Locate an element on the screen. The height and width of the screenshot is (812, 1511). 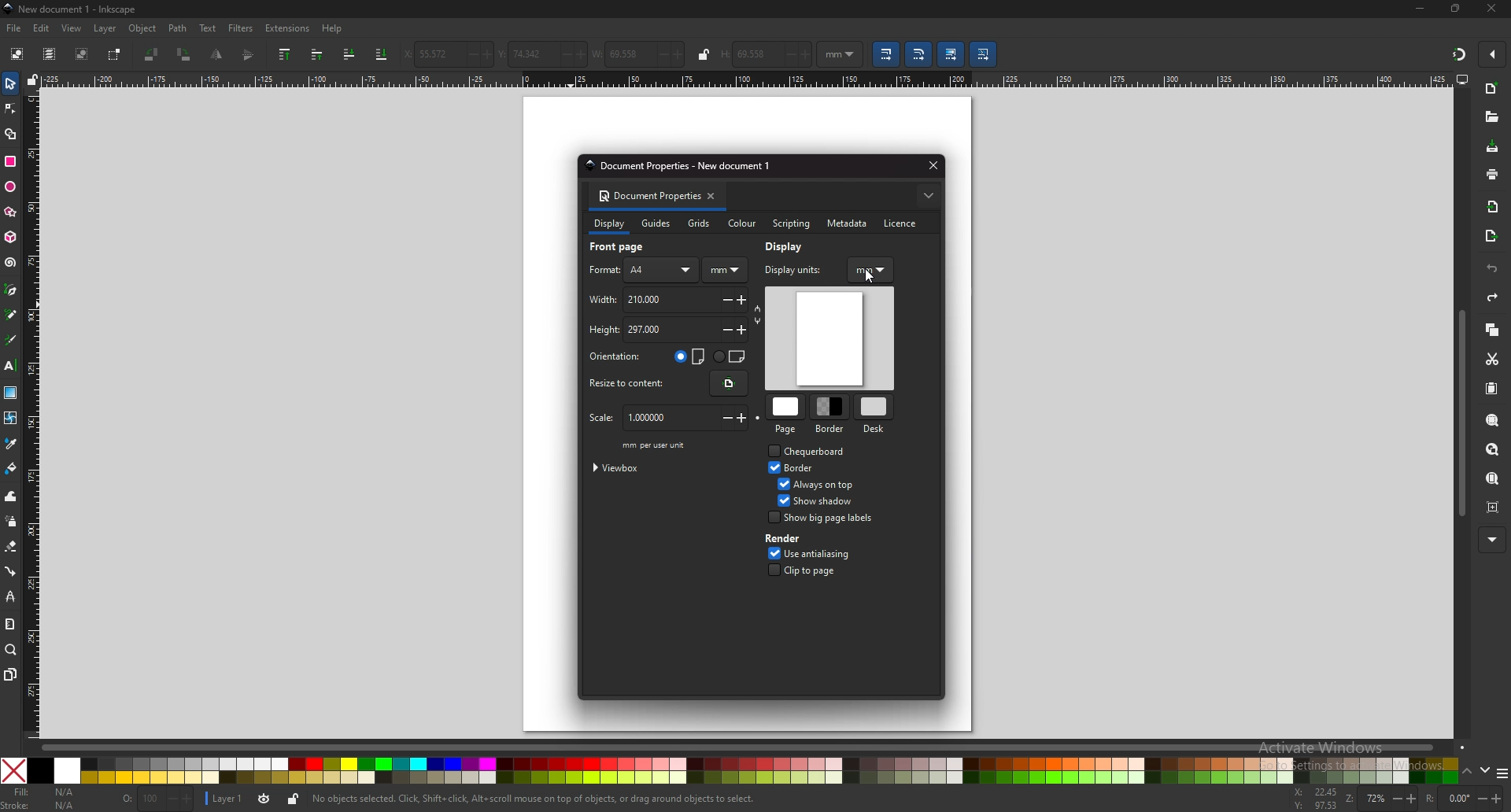
horizontal coordinate is located at coordinates (425, 55).